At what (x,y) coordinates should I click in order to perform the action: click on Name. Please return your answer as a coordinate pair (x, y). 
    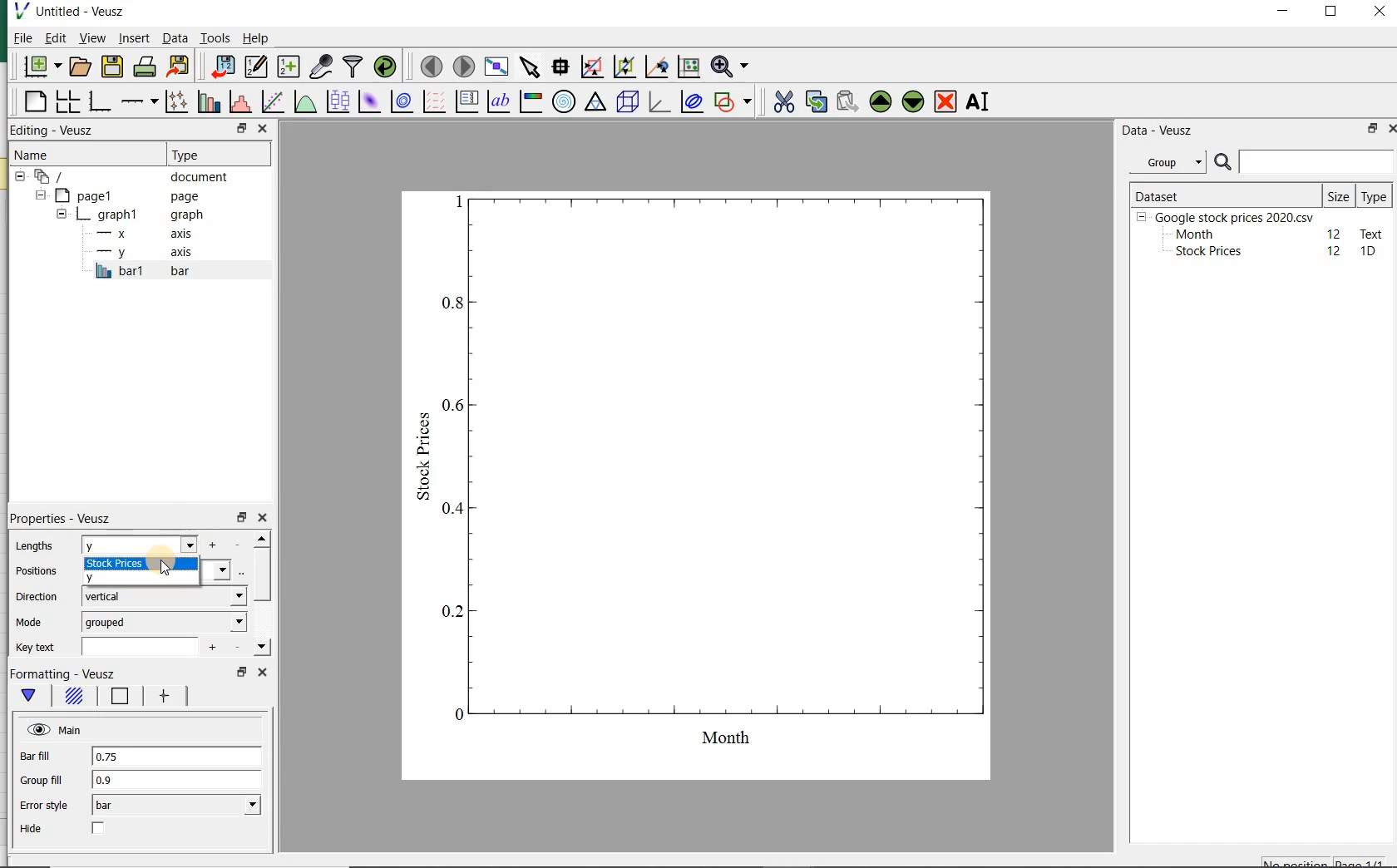
    Looking at the image, I should click on (42, 155).